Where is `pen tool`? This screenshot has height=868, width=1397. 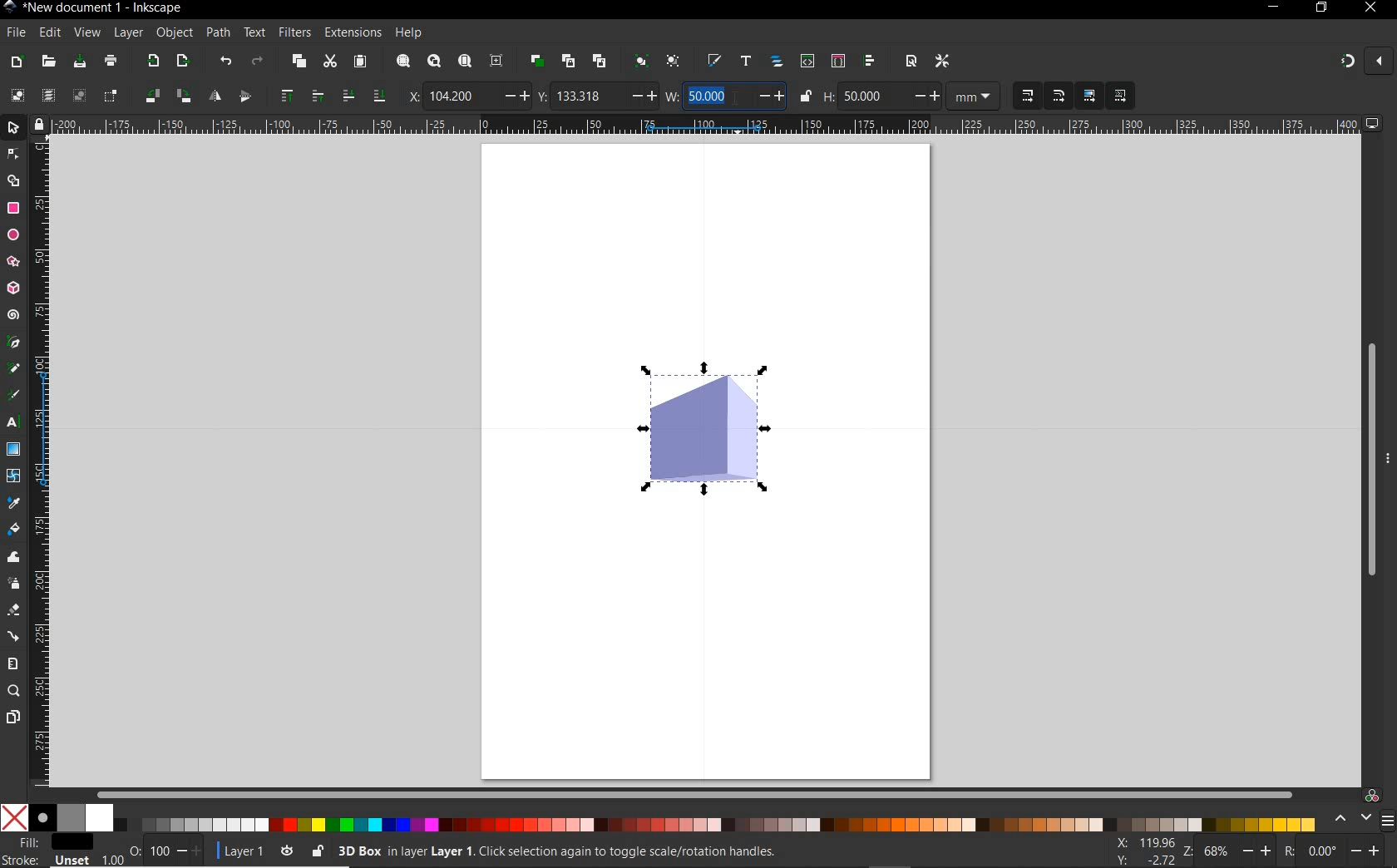 pen tool is located at coordinates (12, 343).